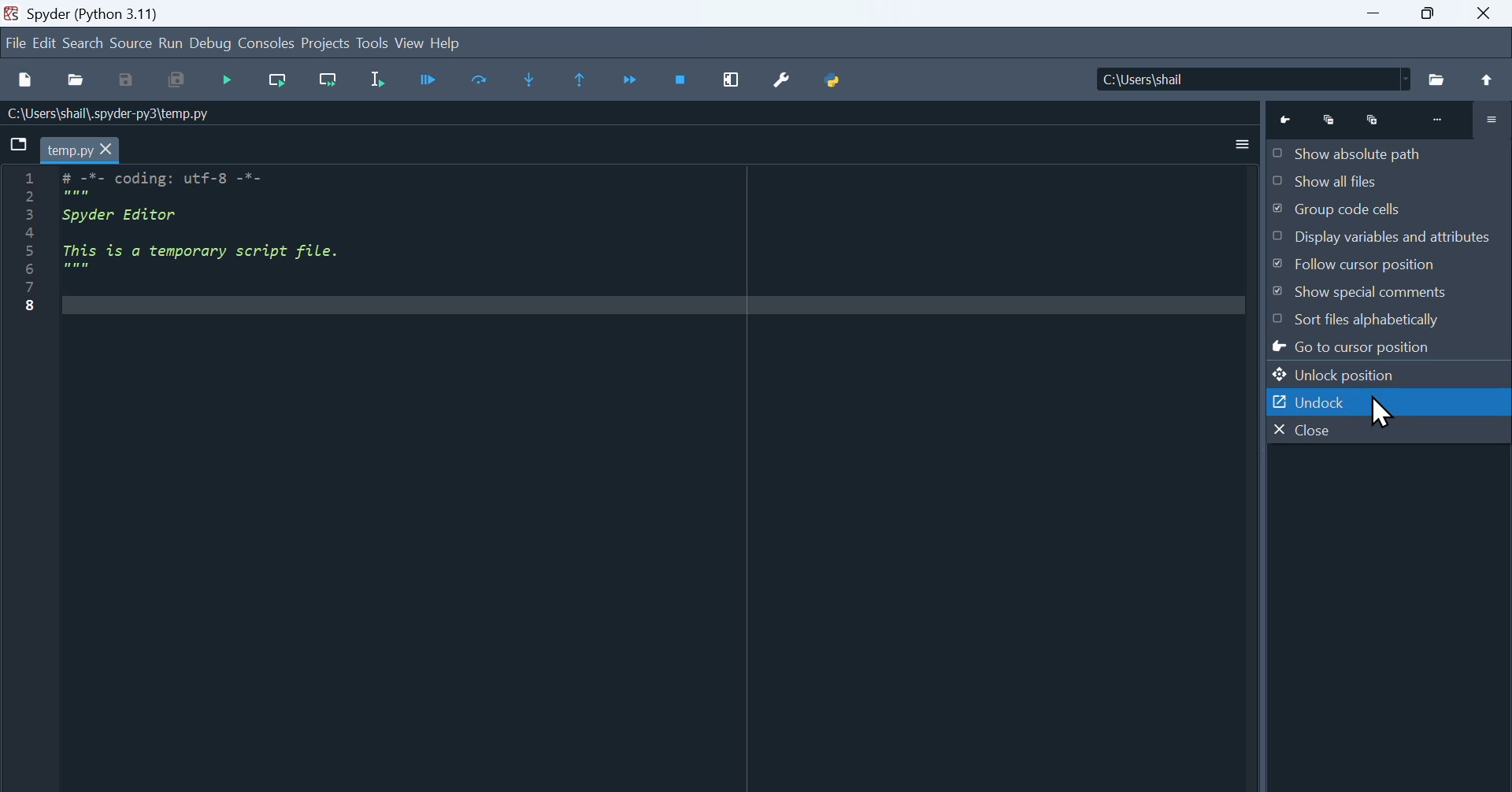  I want to click on More, so click(1440, 120).